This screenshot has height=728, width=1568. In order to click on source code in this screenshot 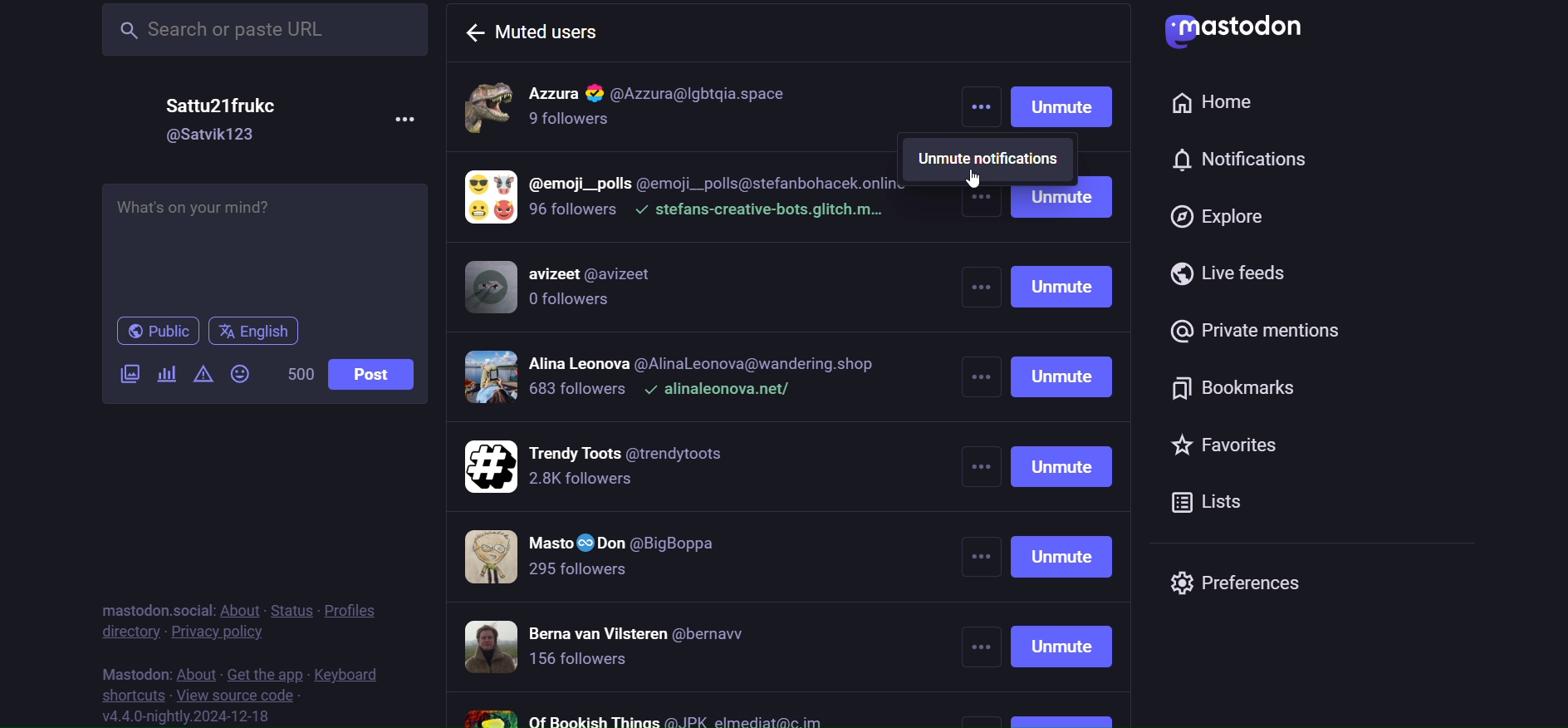, I will do `click(241, 696)`.